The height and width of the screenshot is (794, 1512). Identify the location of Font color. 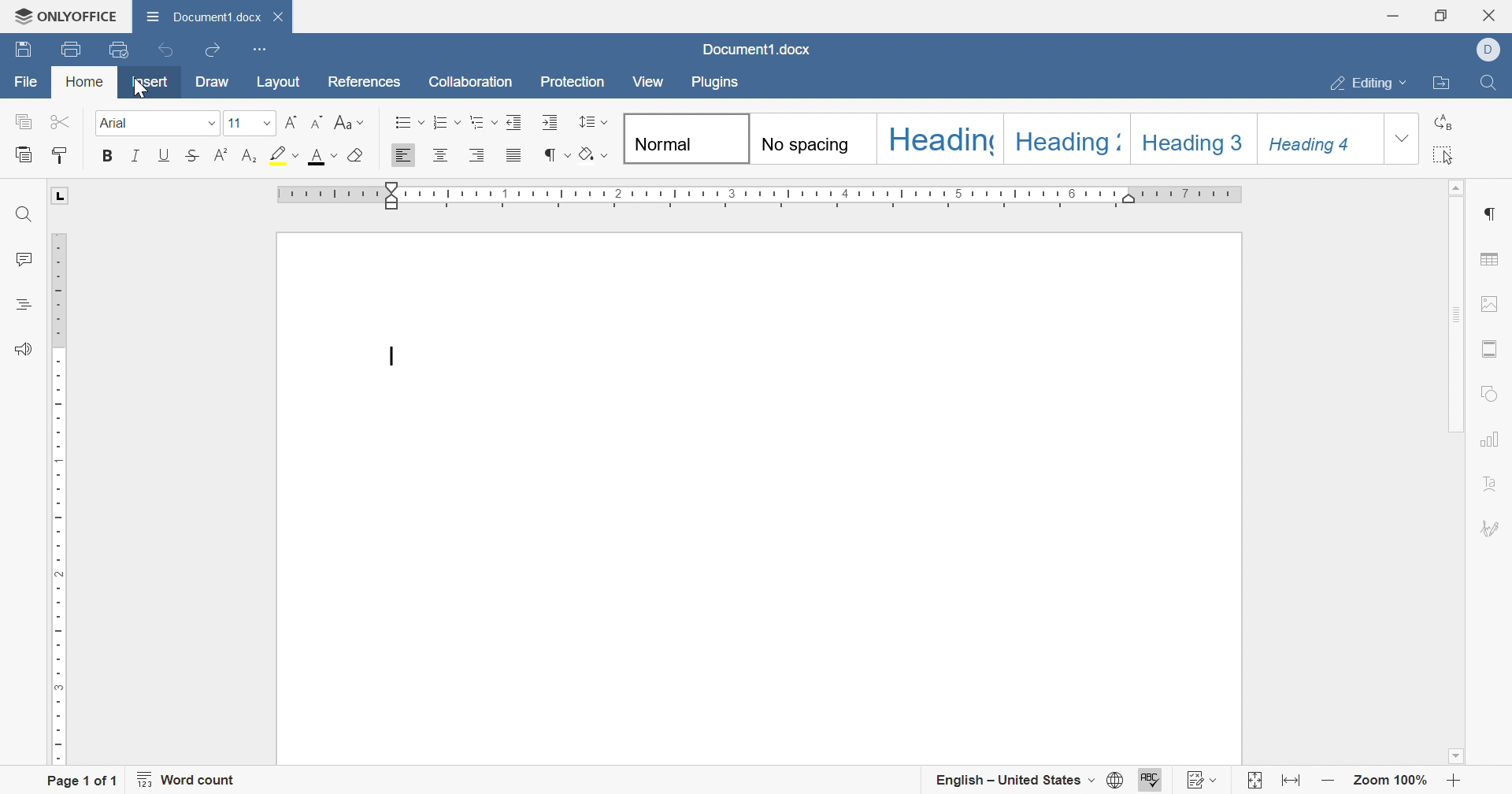
(317, 156).